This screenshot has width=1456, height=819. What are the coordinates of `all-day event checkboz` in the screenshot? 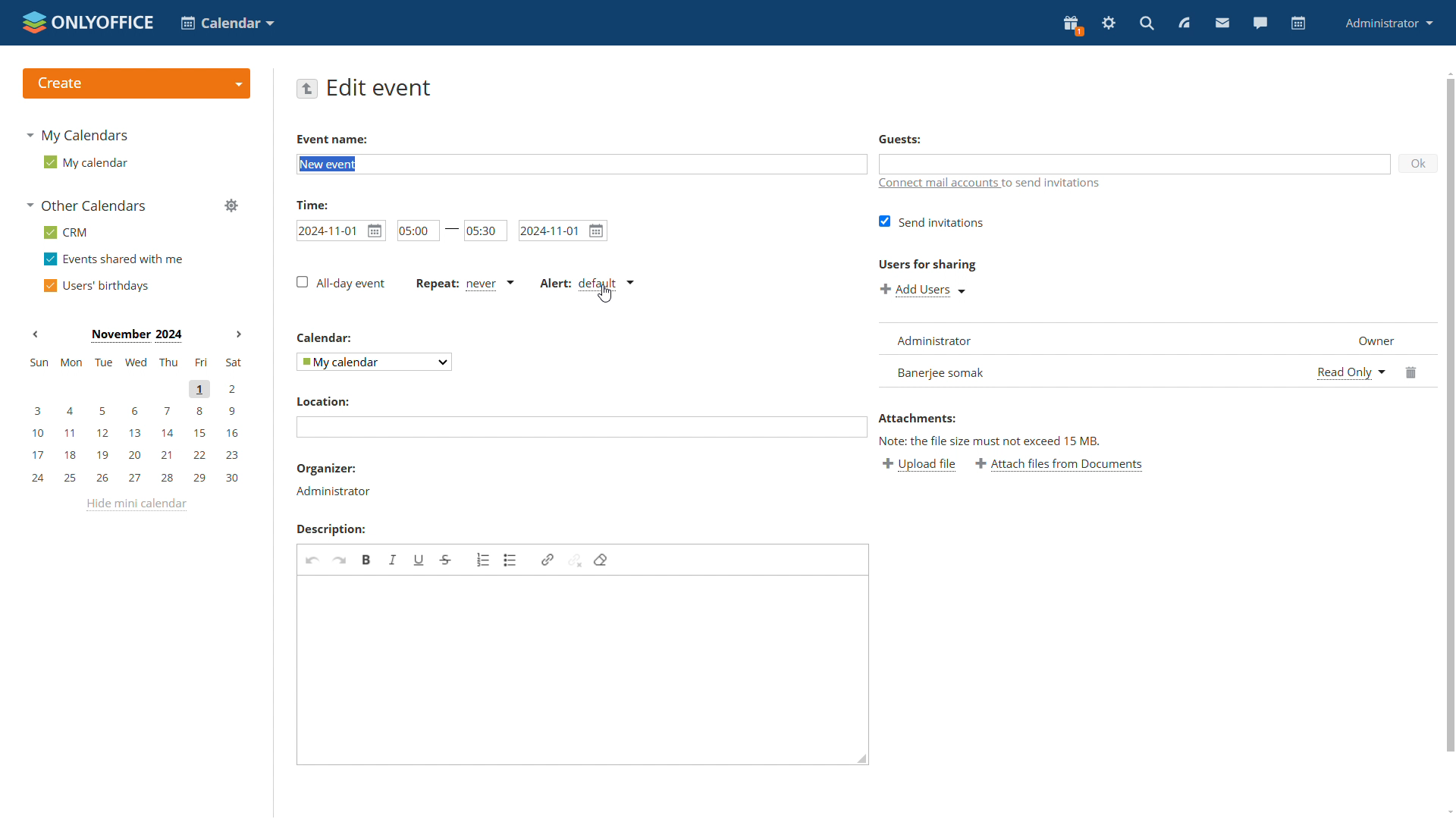 It's located at (340, 282).